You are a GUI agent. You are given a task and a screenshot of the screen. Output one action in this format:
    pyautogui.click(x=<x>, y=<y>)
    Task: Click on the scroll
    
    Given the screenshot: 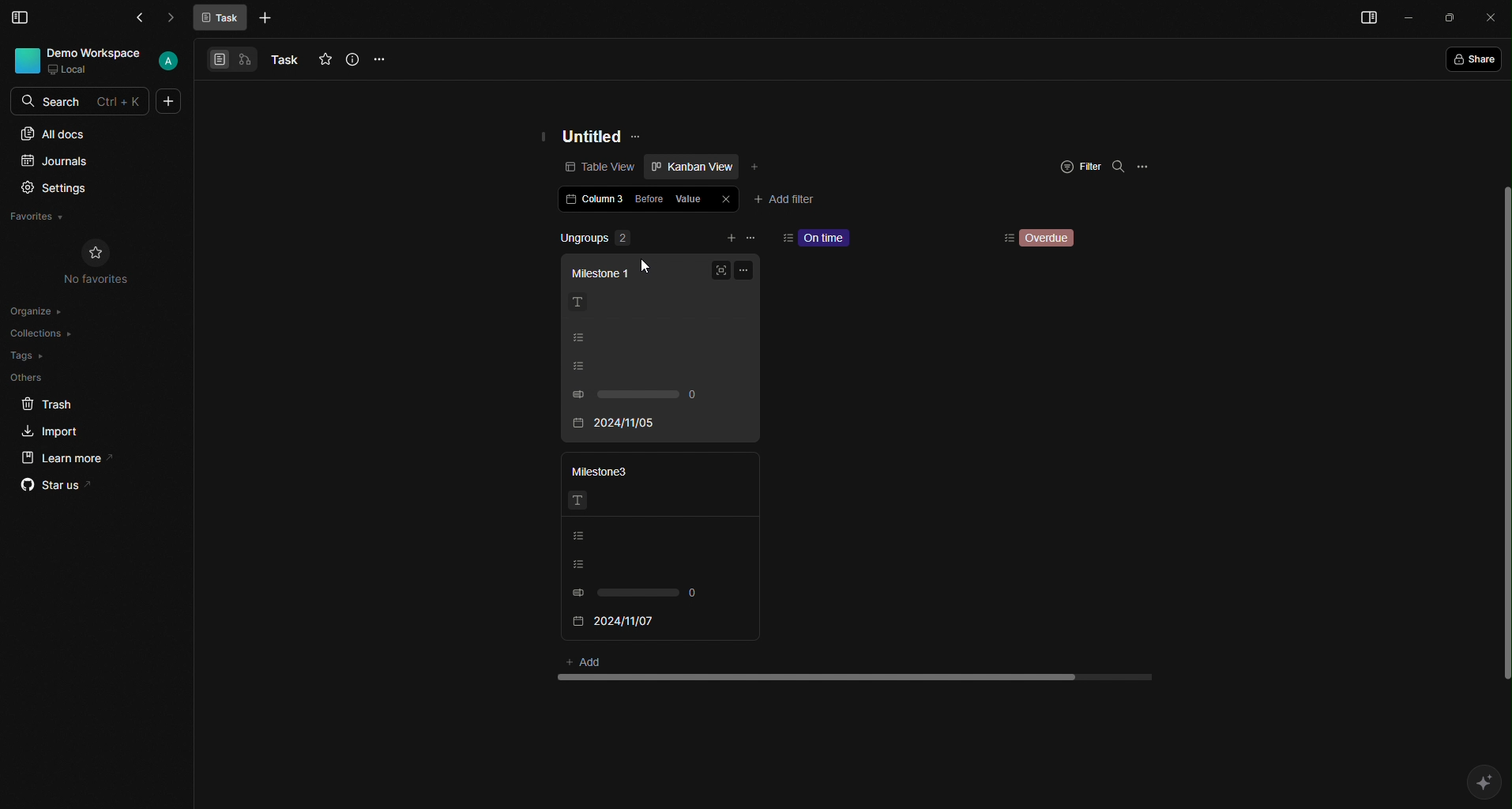 What is the action you would take?
    pyautogui.click(x=1502, y=396)
    